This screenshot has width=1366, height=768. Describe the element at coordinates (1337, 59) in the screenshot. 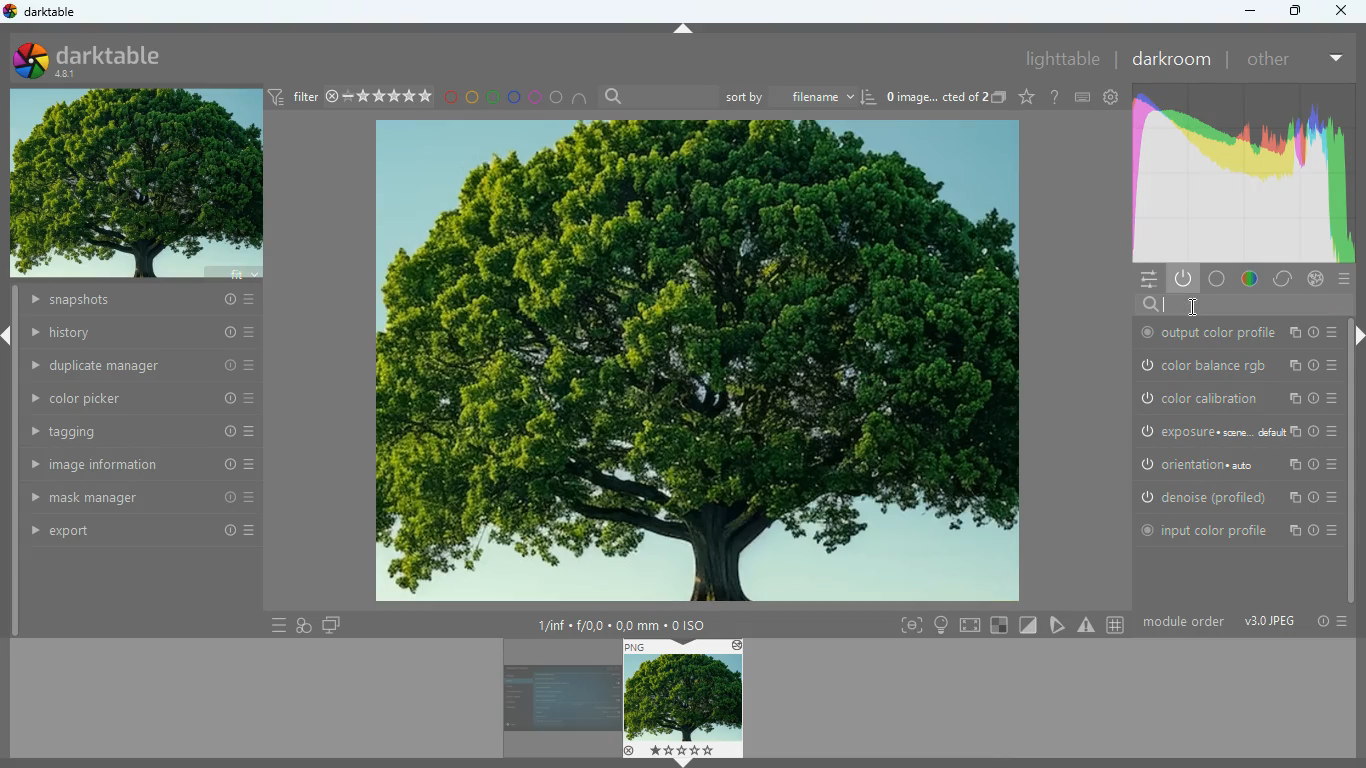

I see `more` at that location.